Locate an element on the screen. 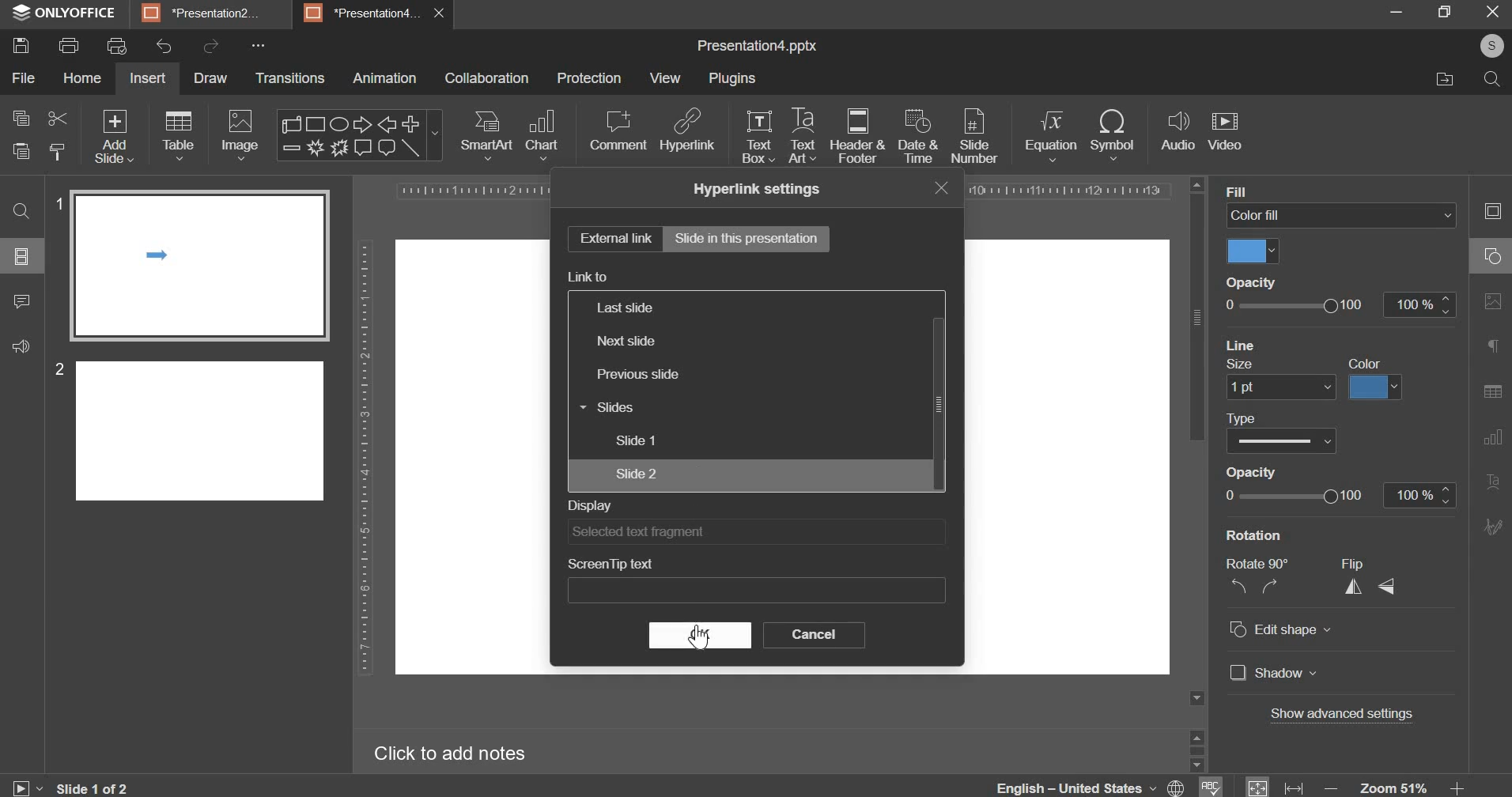  text art is located at coordinates (800, 136).